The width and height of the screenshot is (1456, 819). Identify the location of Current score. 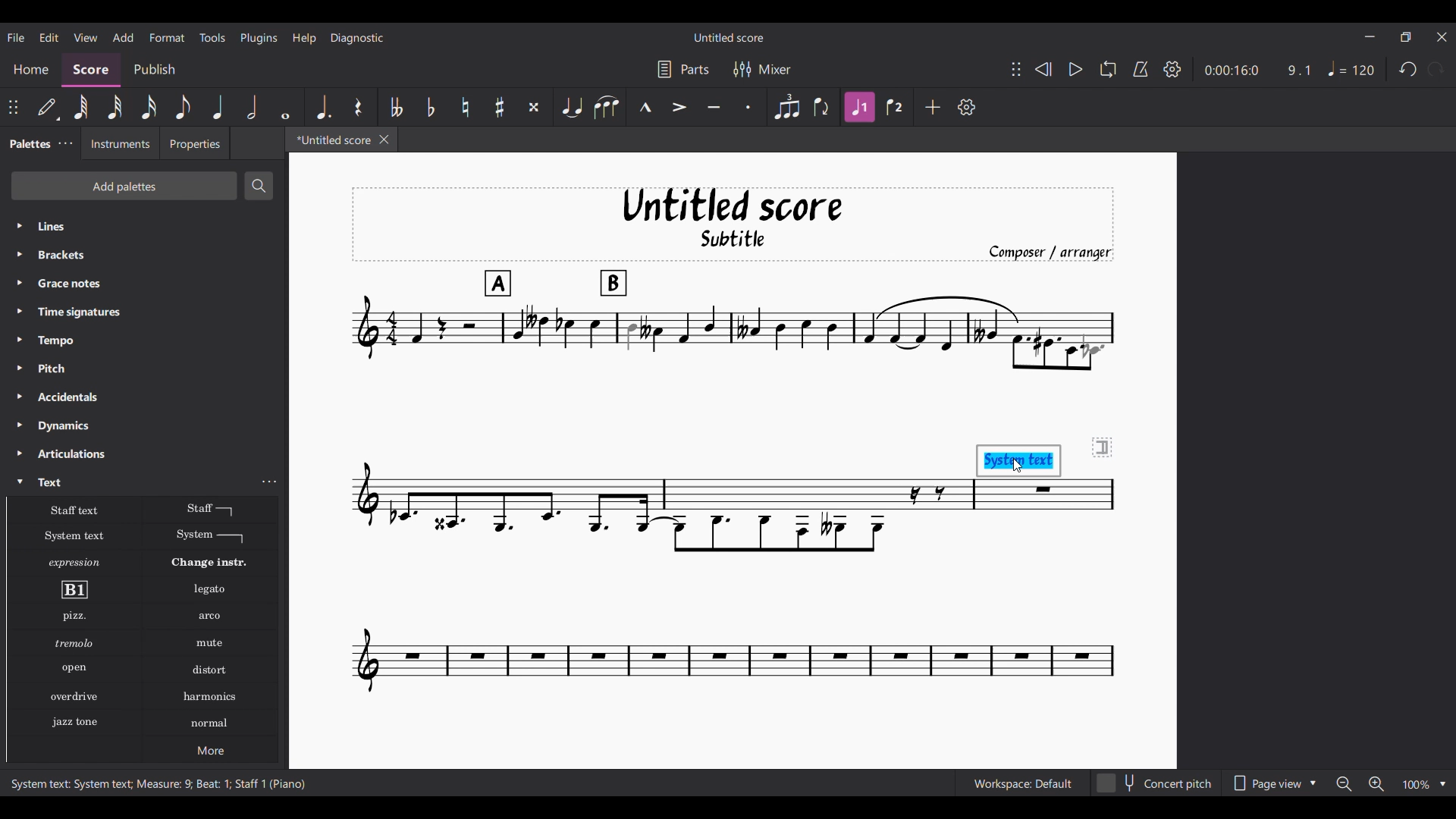
(651, 441).